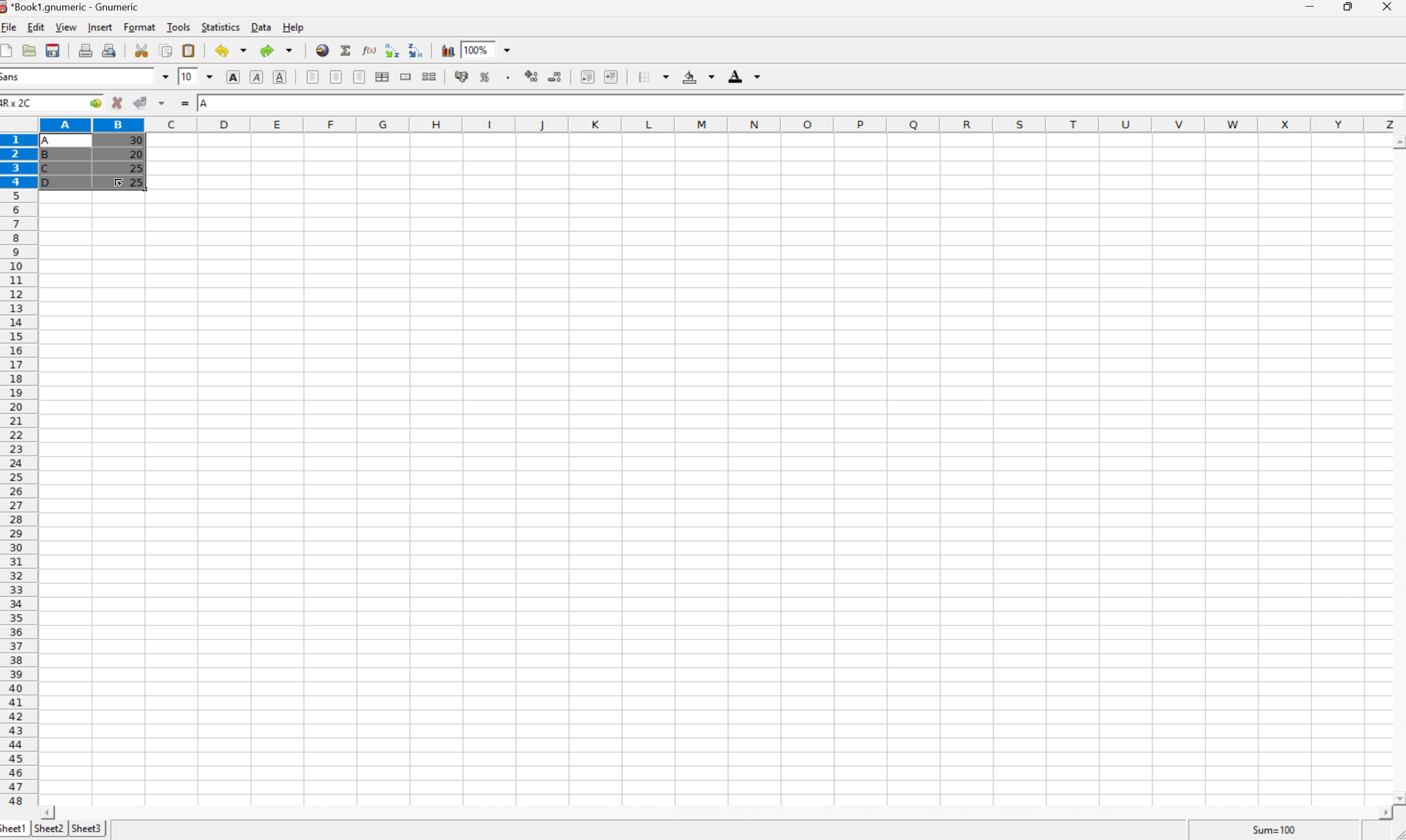  What do you see at coordinates (140, 28) in the screenshot?
I see `Format` at bounding box center [140, 28].